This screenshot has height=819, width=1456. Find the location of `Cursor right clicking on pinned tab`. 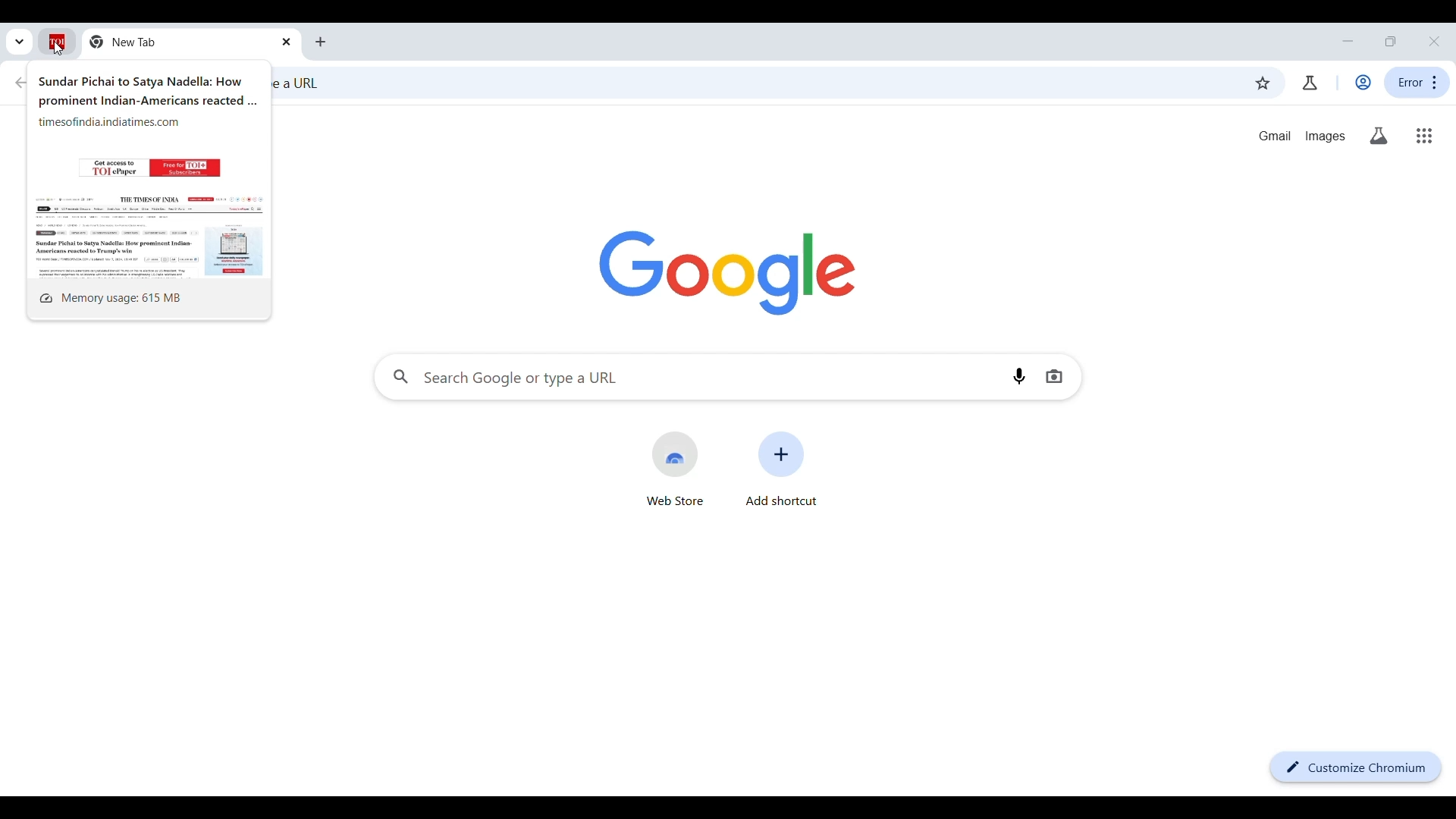

Cursor right clicking on pinned tab is located at coordinates (58, 49).